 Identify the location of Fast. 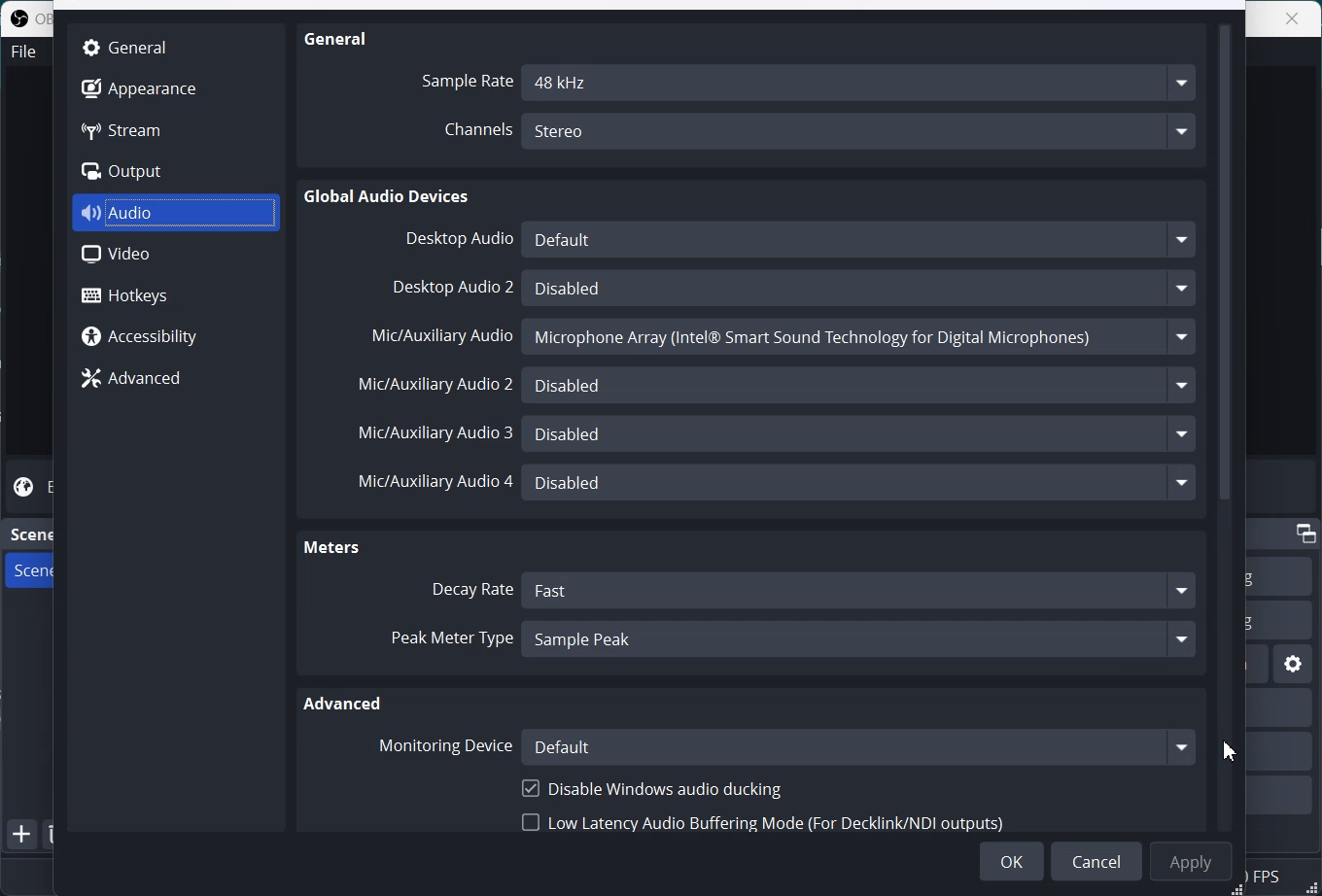
(860, 592).